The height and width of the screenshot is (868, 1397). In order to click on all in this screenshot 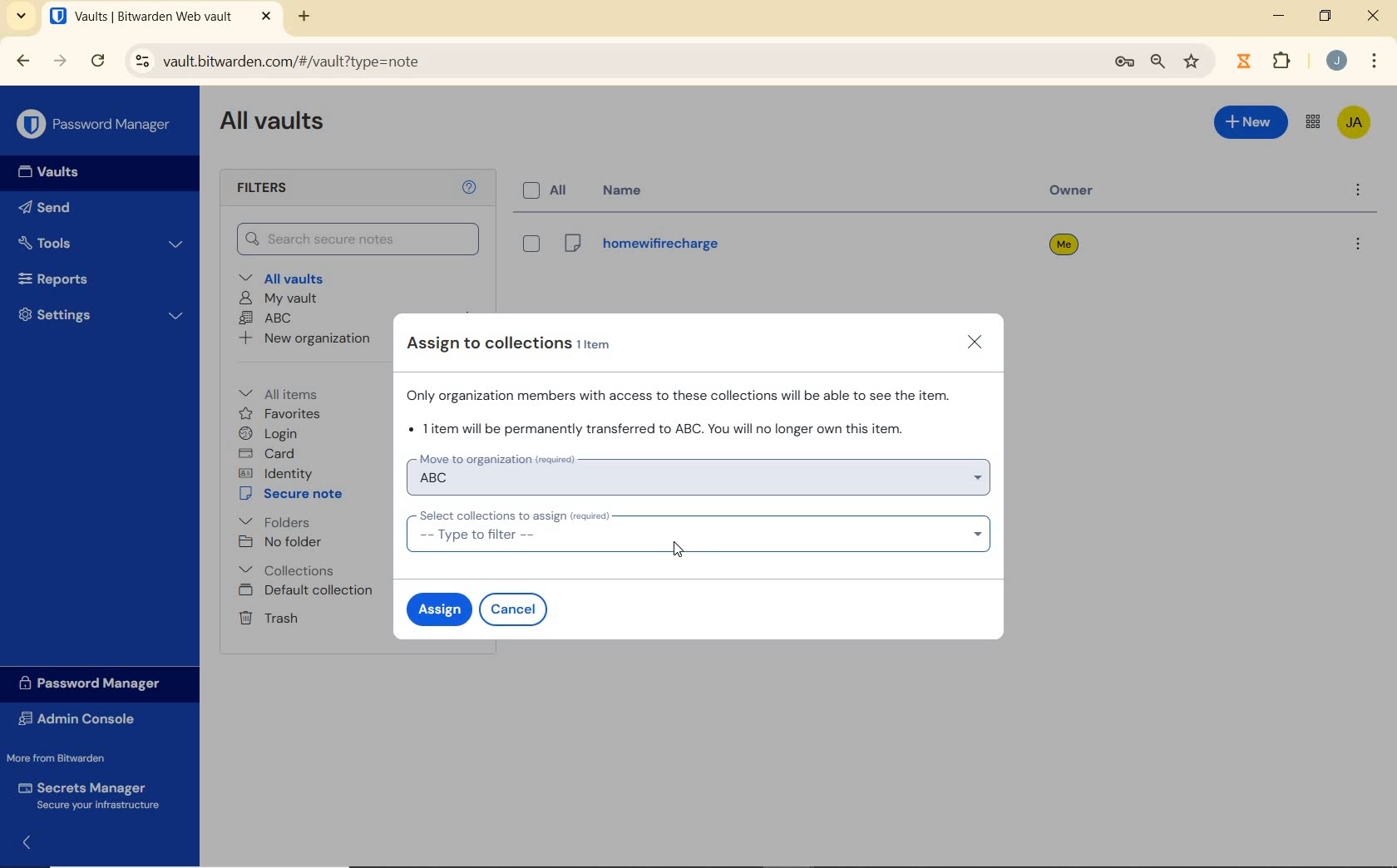, I will do `click(549, 191)`.